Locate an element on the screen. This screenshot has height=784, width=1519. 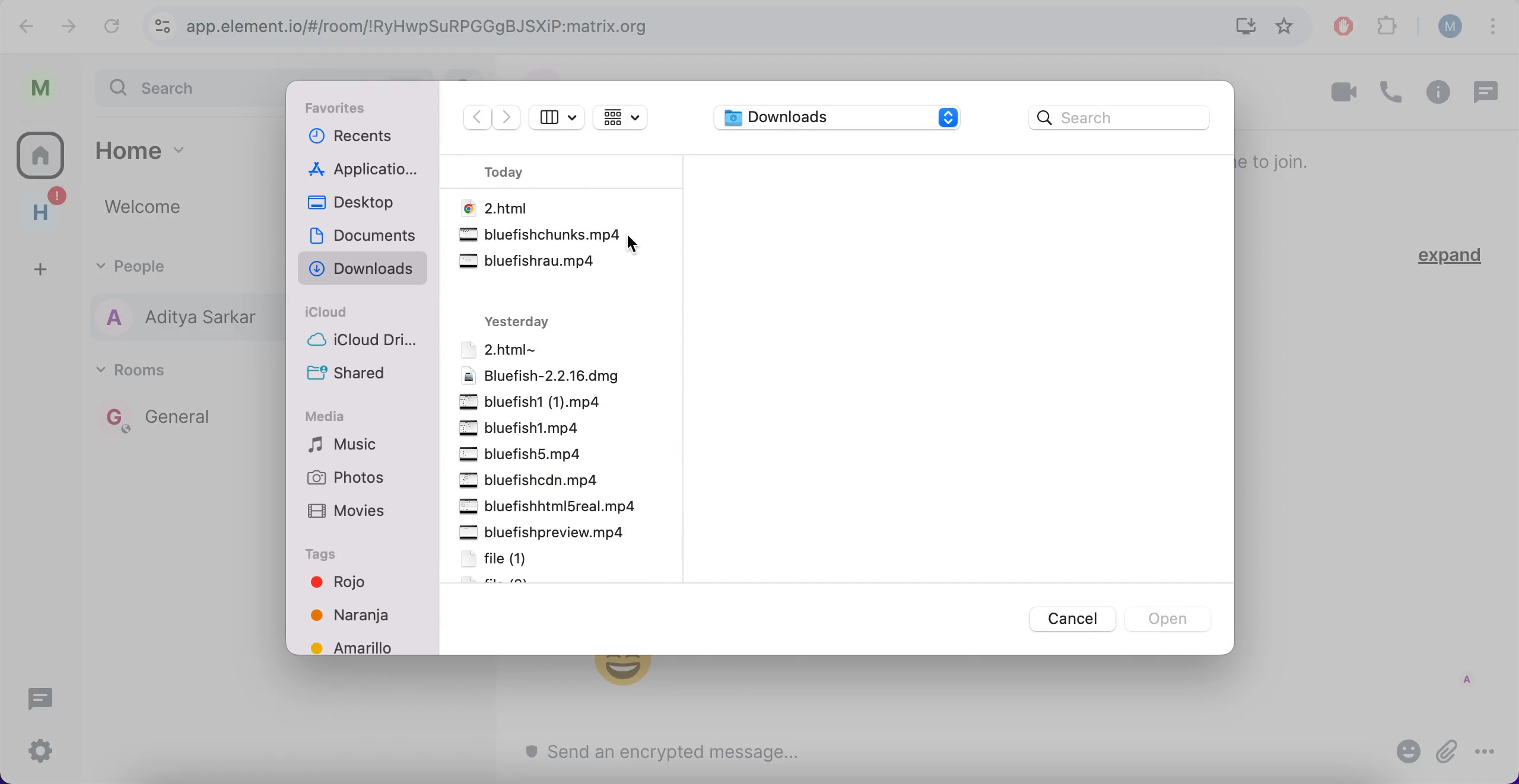
today is located at coordinates (511, 172).